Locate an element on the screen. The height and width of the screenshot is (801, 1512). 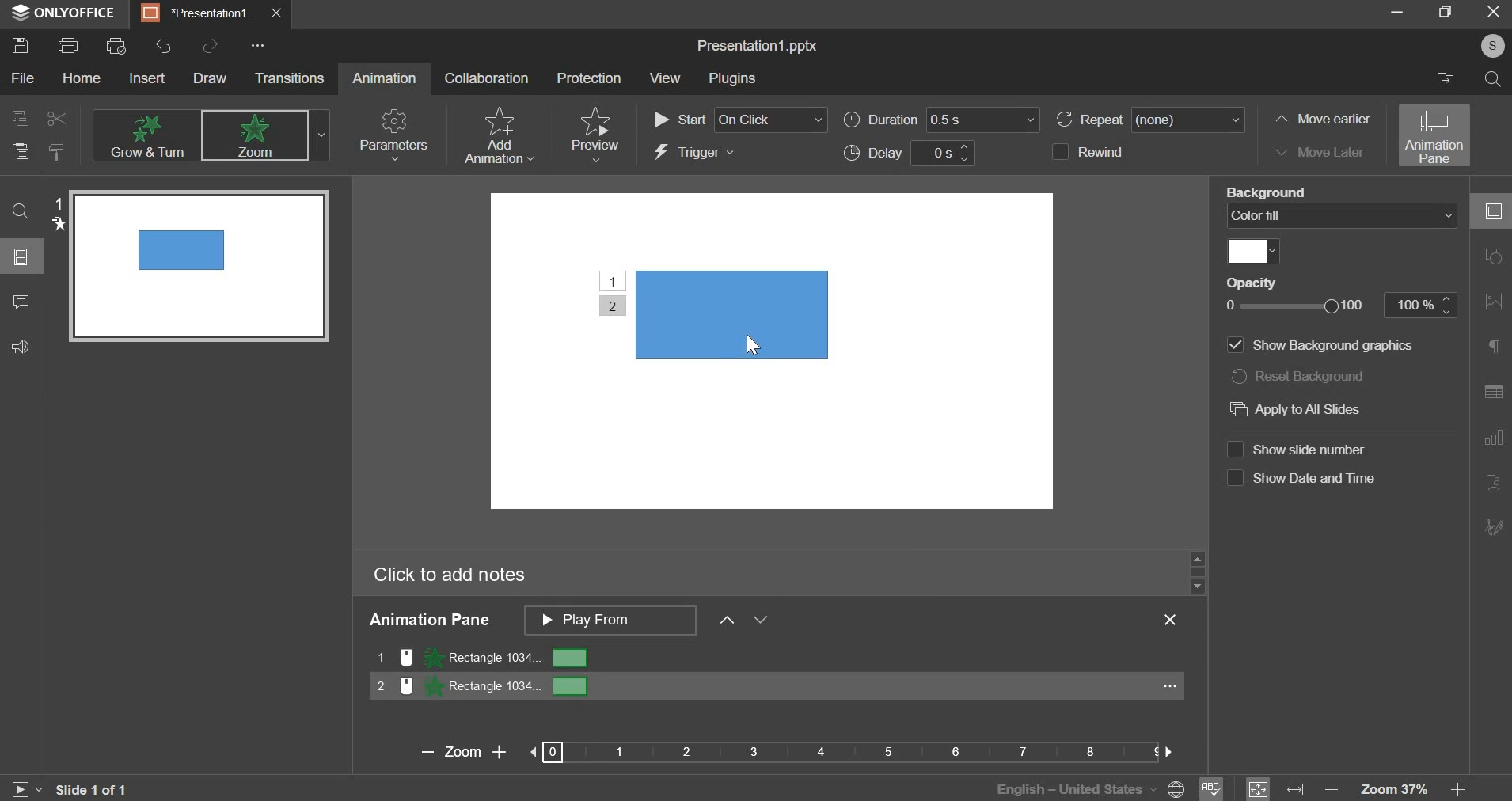
presentation is located at coordinates (209, 15).